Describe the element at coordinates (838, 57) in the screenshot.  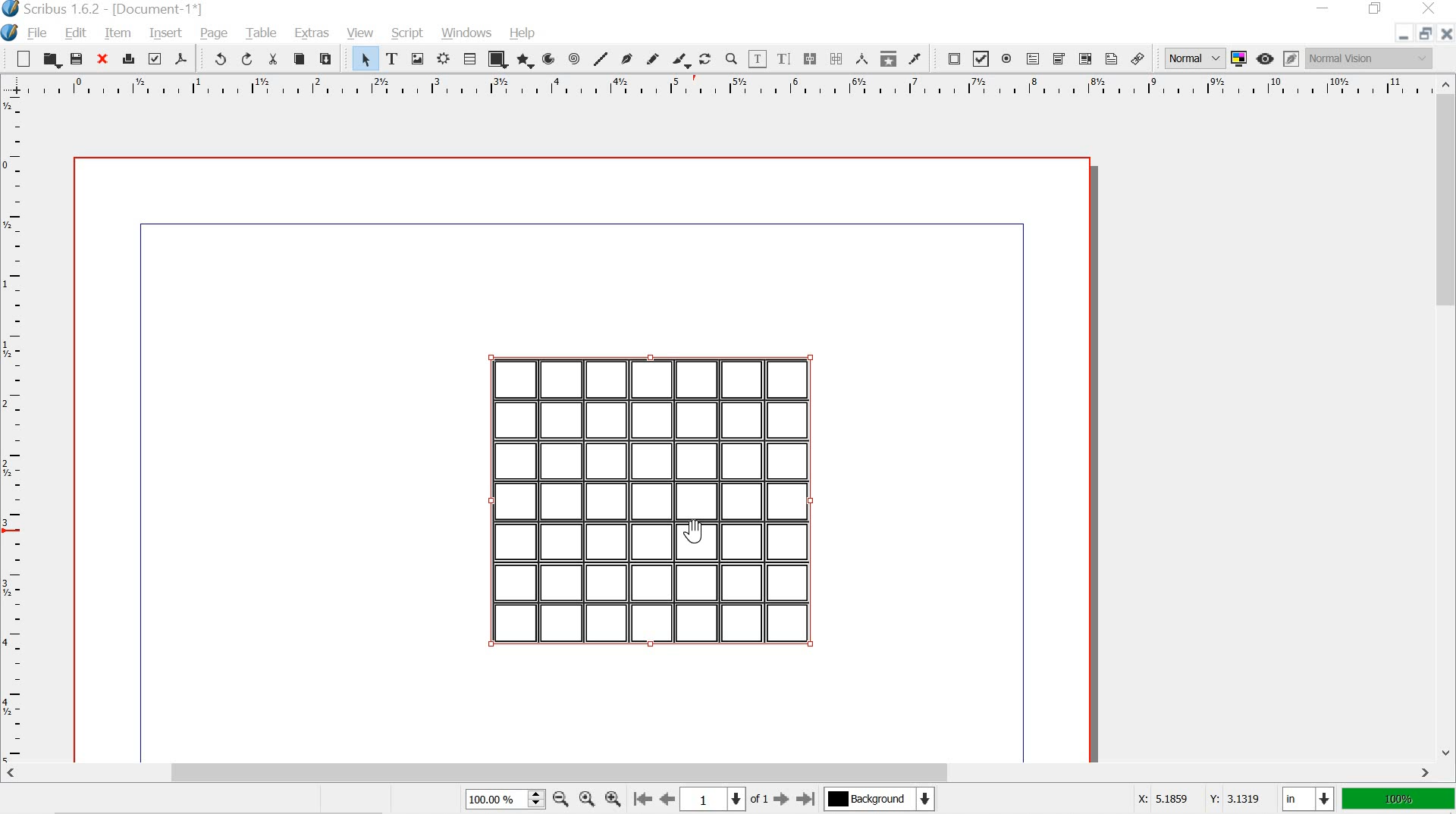
I see `unlink text frames` at that location.